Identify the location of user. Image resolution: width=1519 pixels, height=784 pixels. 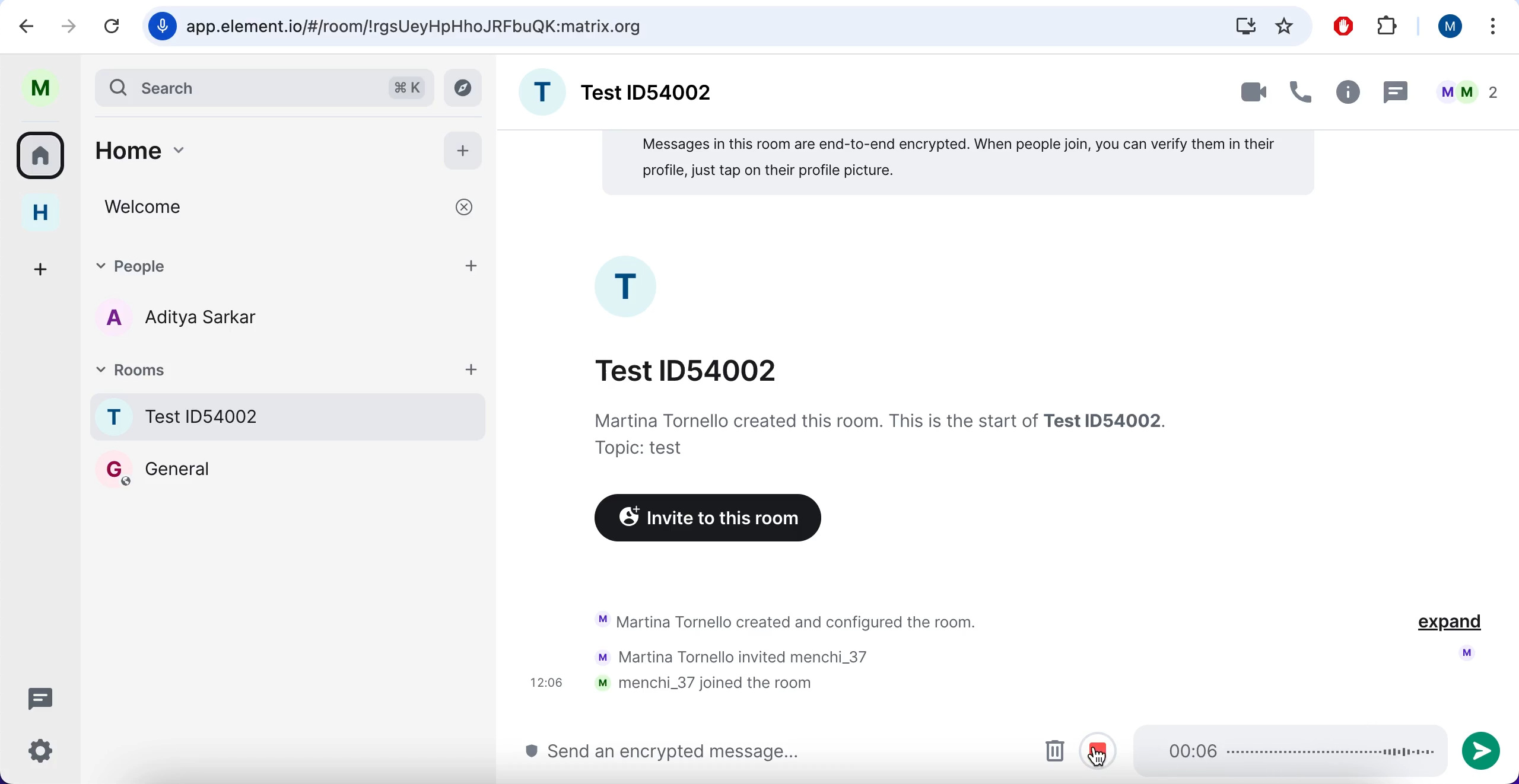
(40, 88).